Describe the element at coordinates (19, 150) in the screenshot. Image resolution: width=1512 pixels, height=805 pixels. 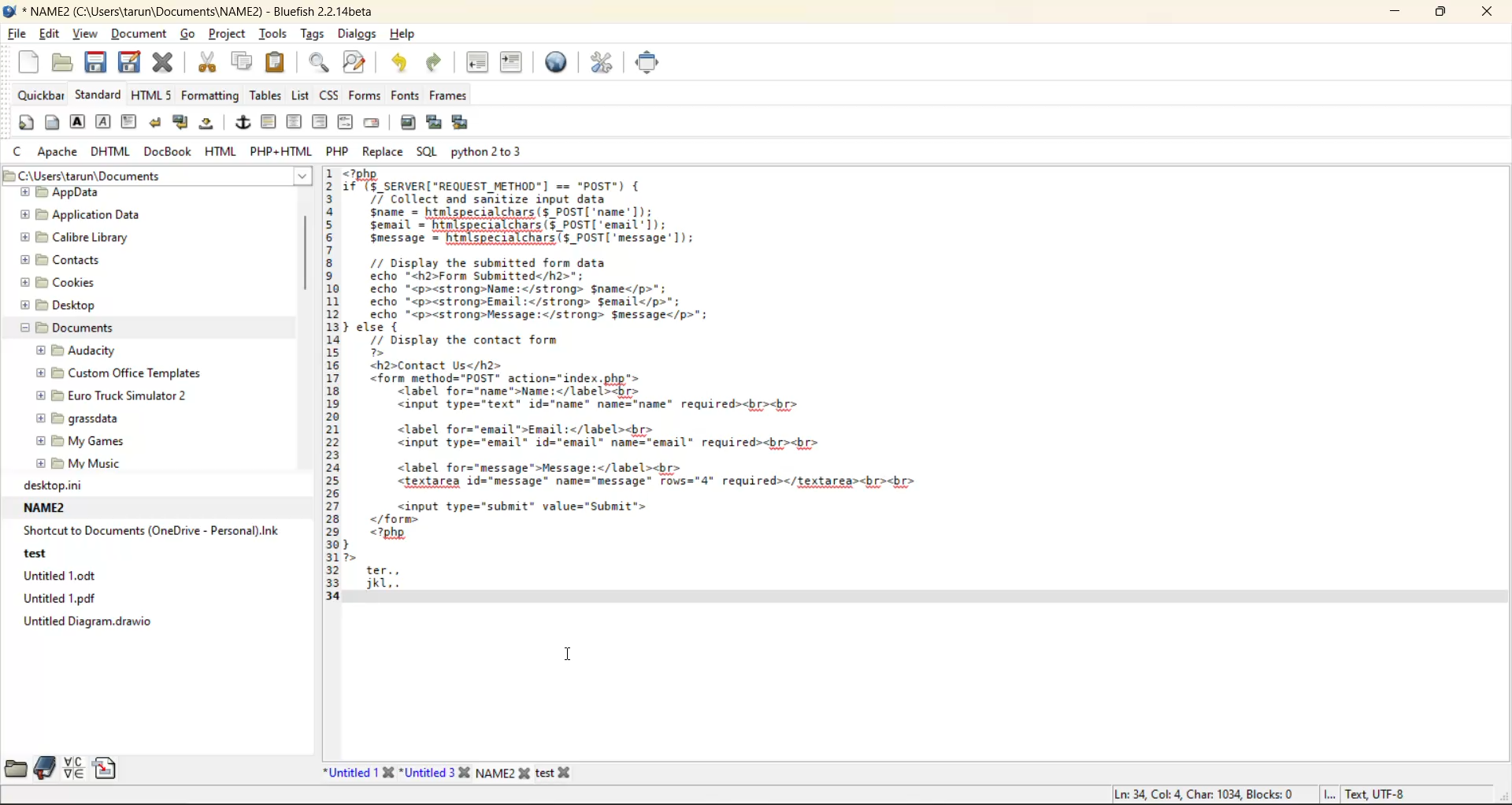
I see `c` at that location.